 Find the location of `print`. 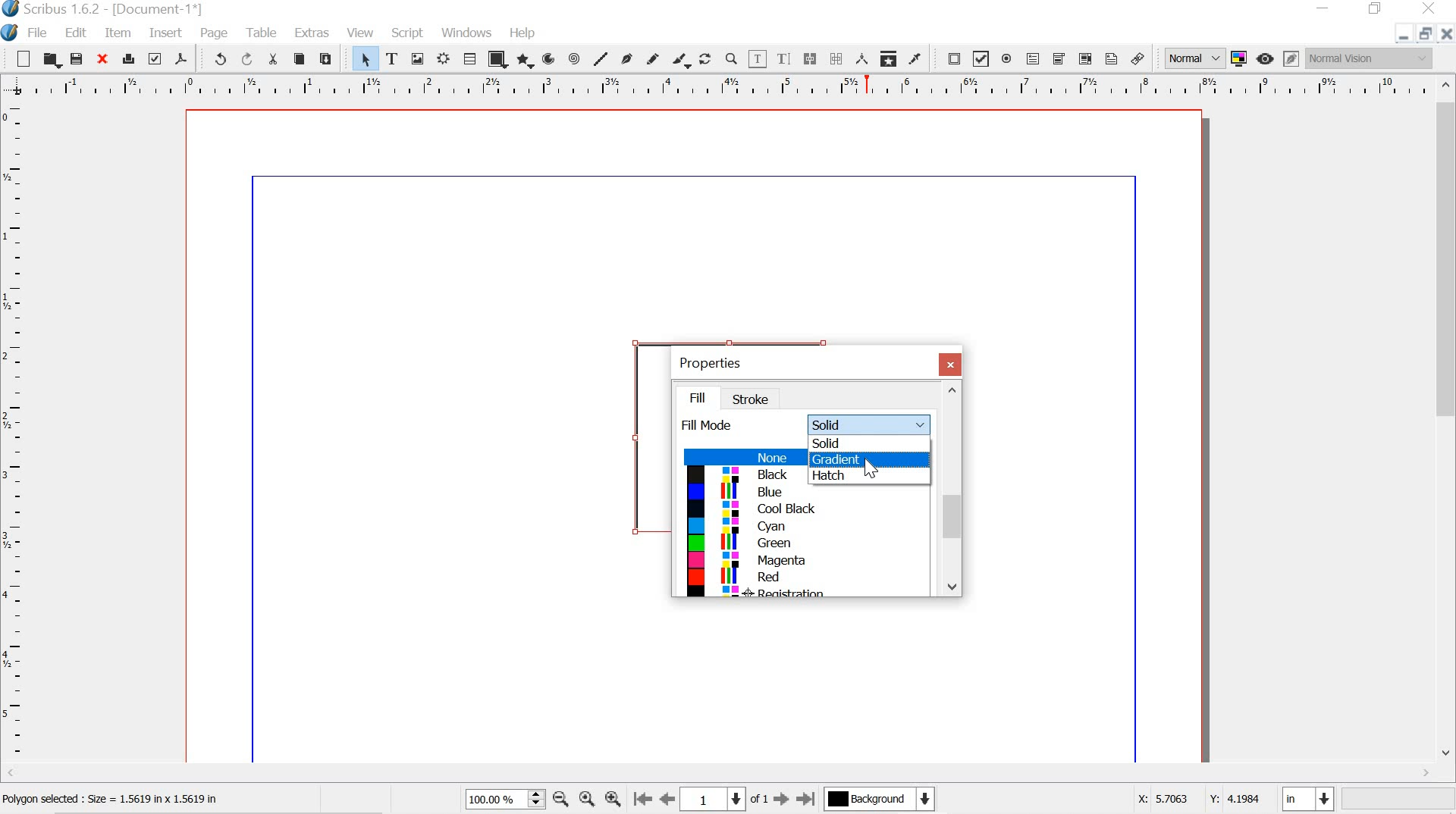

print is located at coordinates (129, 58).